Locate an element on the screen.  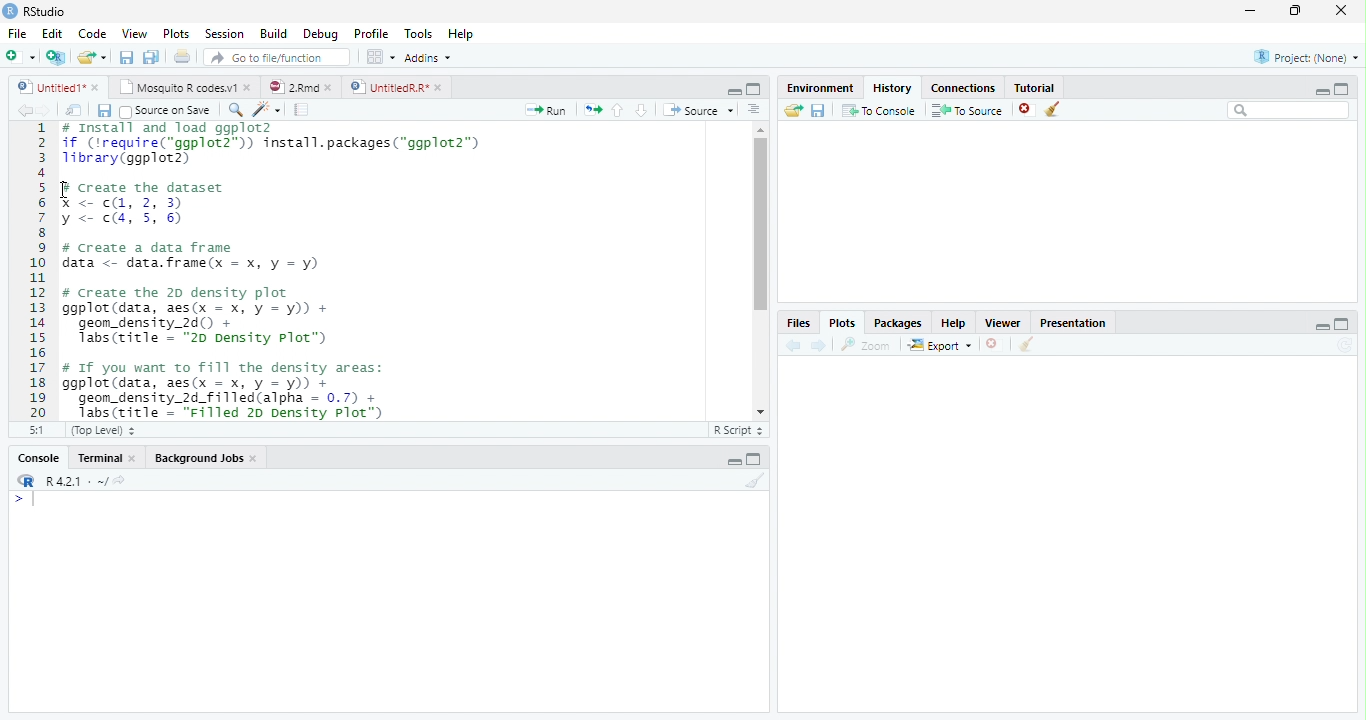
Background Jobs is located at coordinates (200, 459).